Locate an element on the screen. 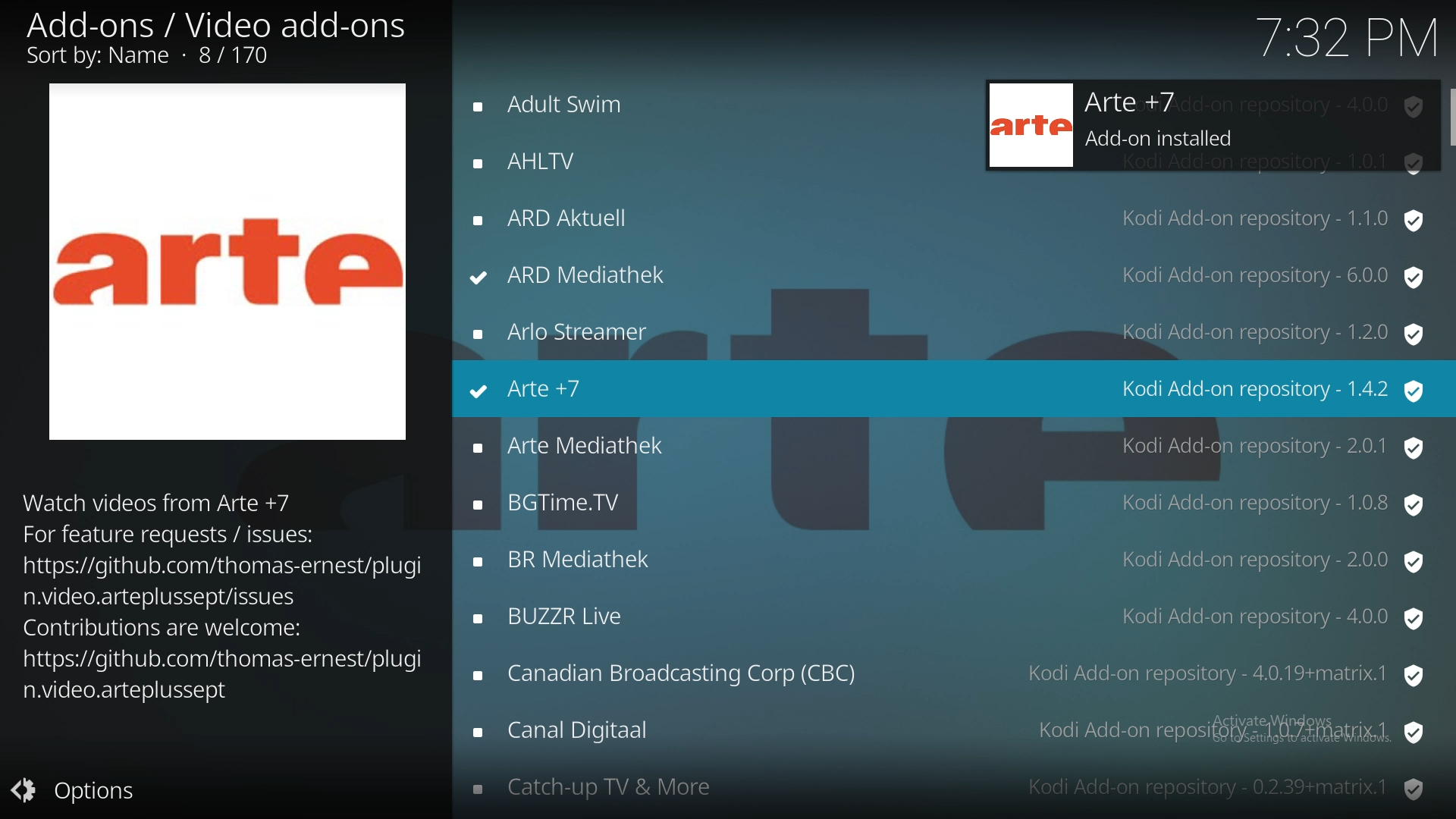 The height and width of the screenshot is (819, 1456). add on is located at coordinates (952, 674).